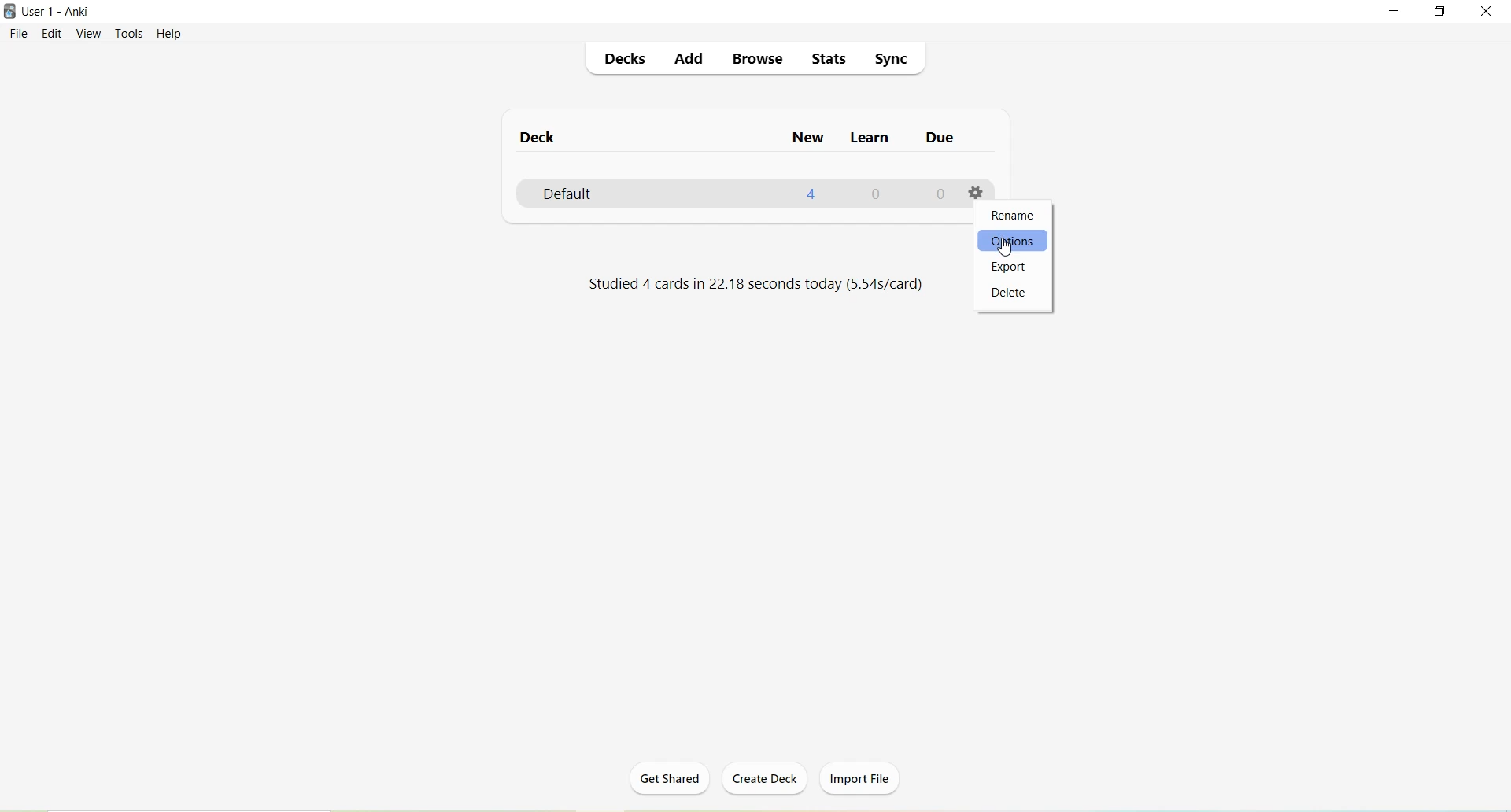 The image size is (1511, 812). I want to click on Options, so click(975, 191).